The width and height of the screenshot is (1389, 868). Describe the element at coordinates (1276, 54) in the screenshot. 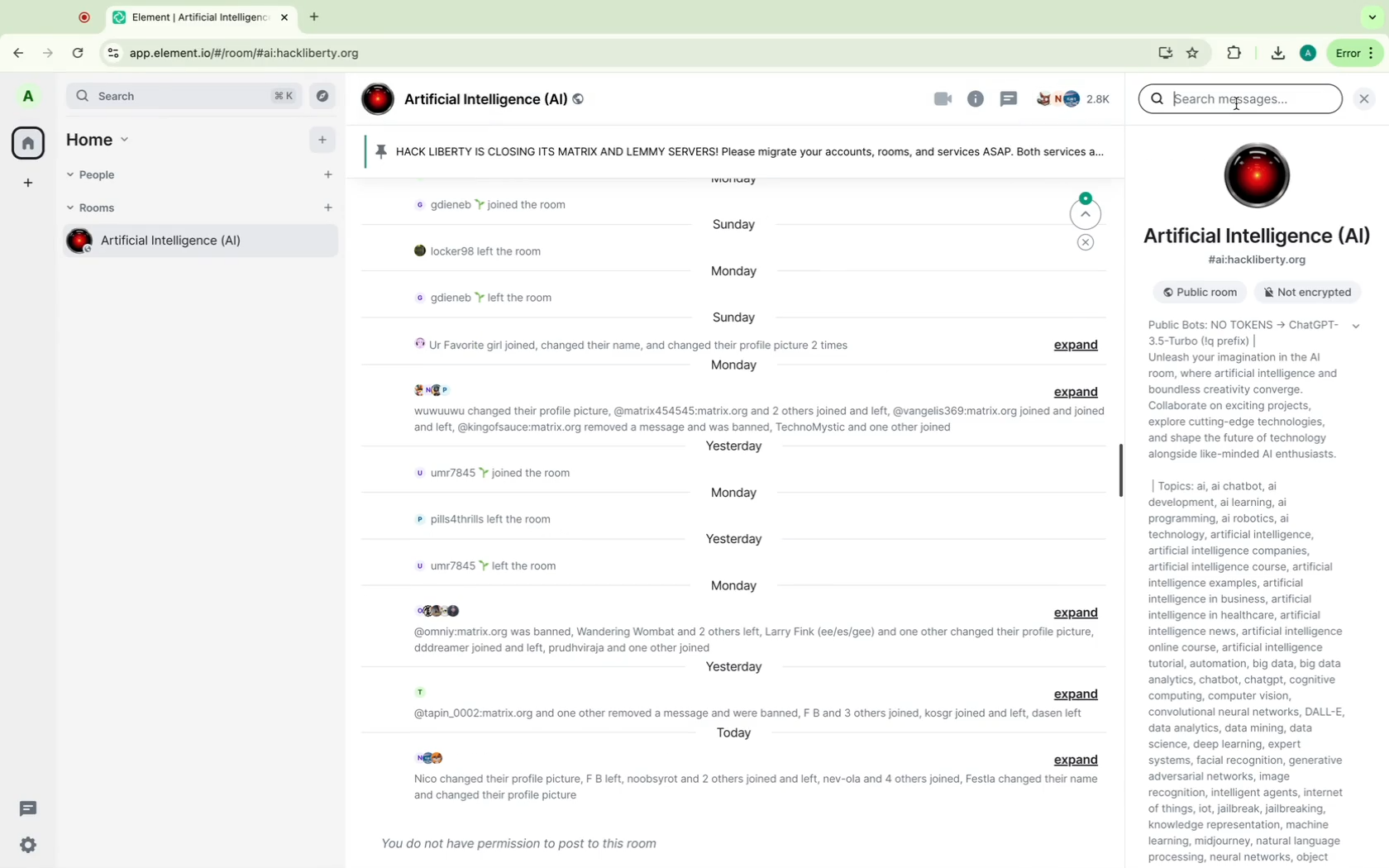

I see `download` at that location.